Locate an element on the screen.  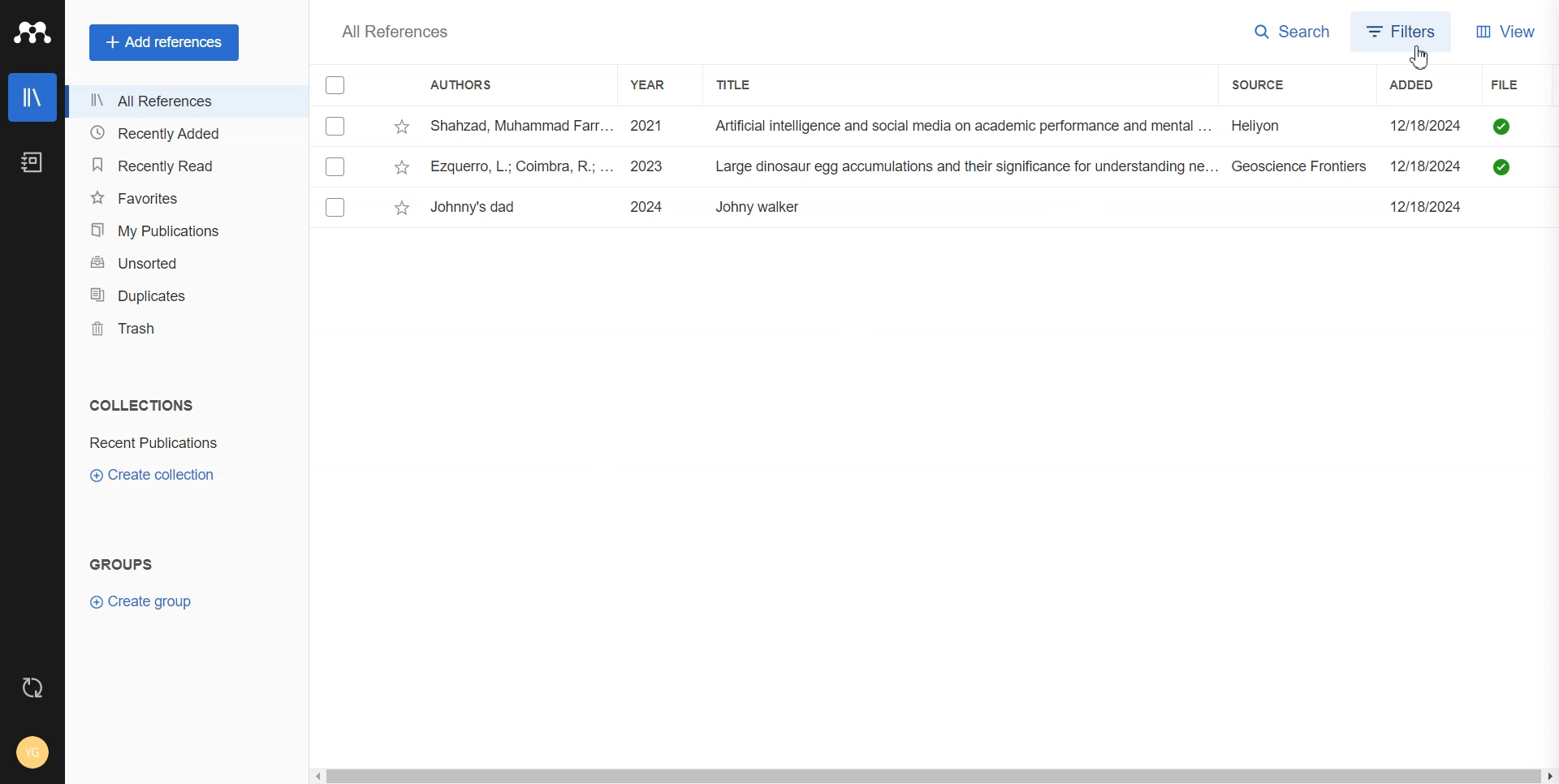
file available is located at coordinates (1505, 149).